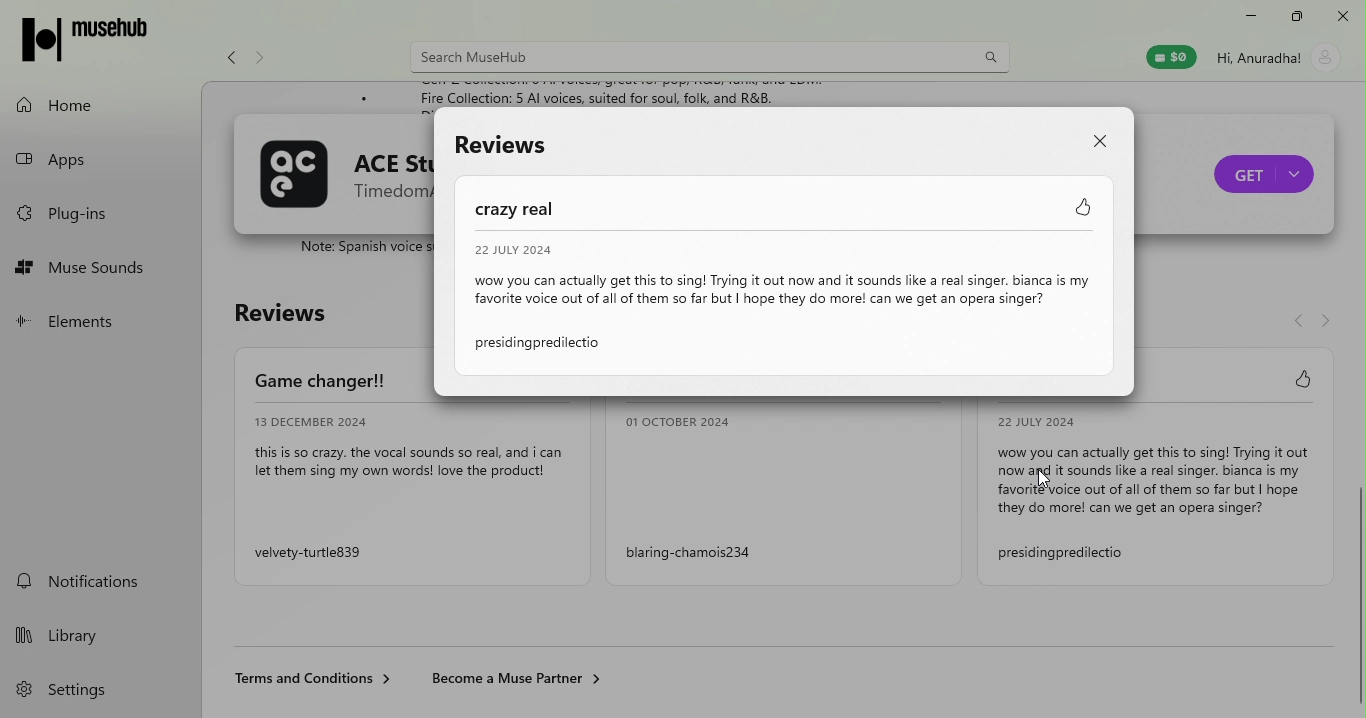 Image resolution: width=1366 pixels, height=718 pixels. Describe the element at coordinates (297, 174) in the screenshot. I see `ACE Studio logo` at that location.